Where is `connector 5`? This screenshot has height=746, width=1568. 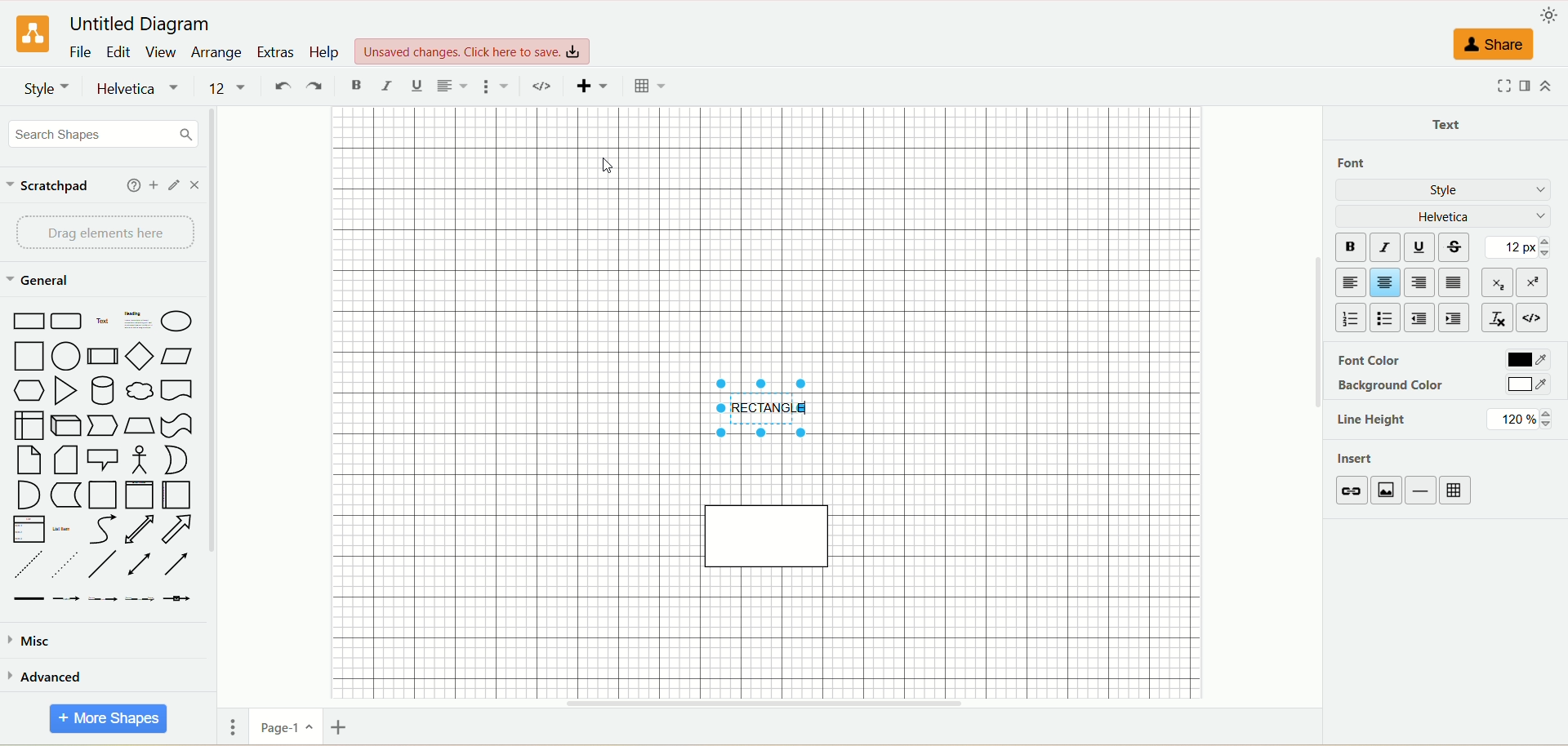 connector 5 is located at coordinates (179, 597).